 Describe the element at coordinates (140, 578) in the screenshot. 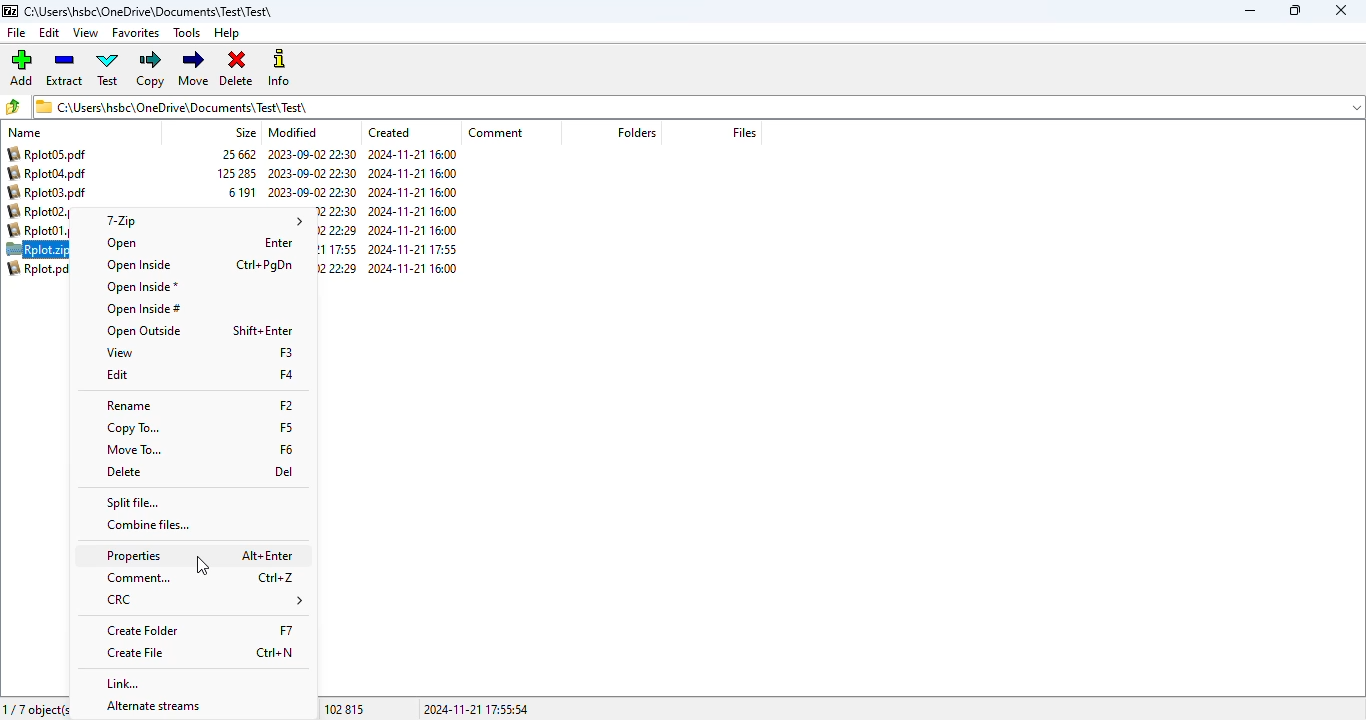

I see `comment` at that location.